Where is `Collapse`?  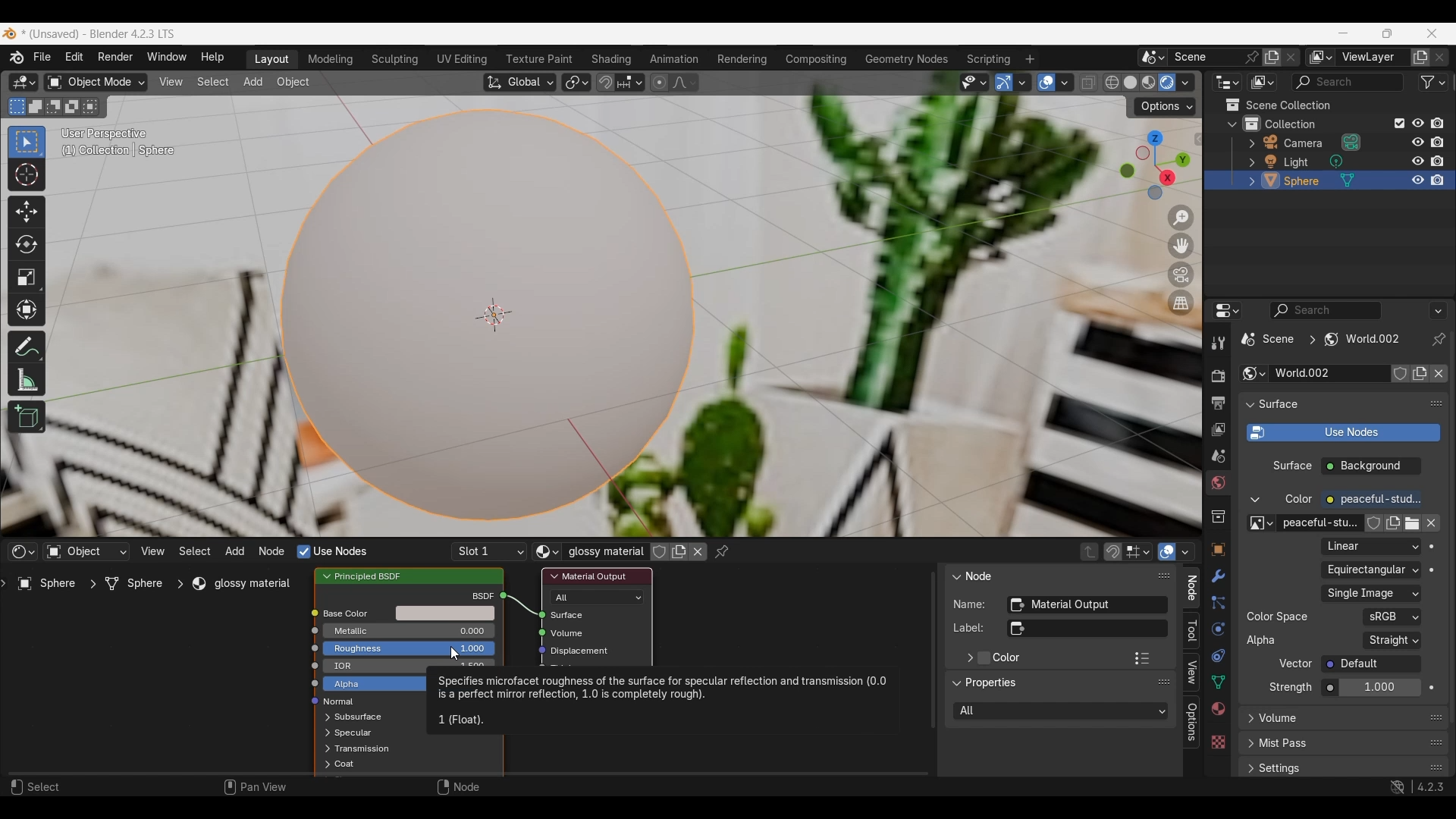
Collapse is located at coordinates (955, 576).